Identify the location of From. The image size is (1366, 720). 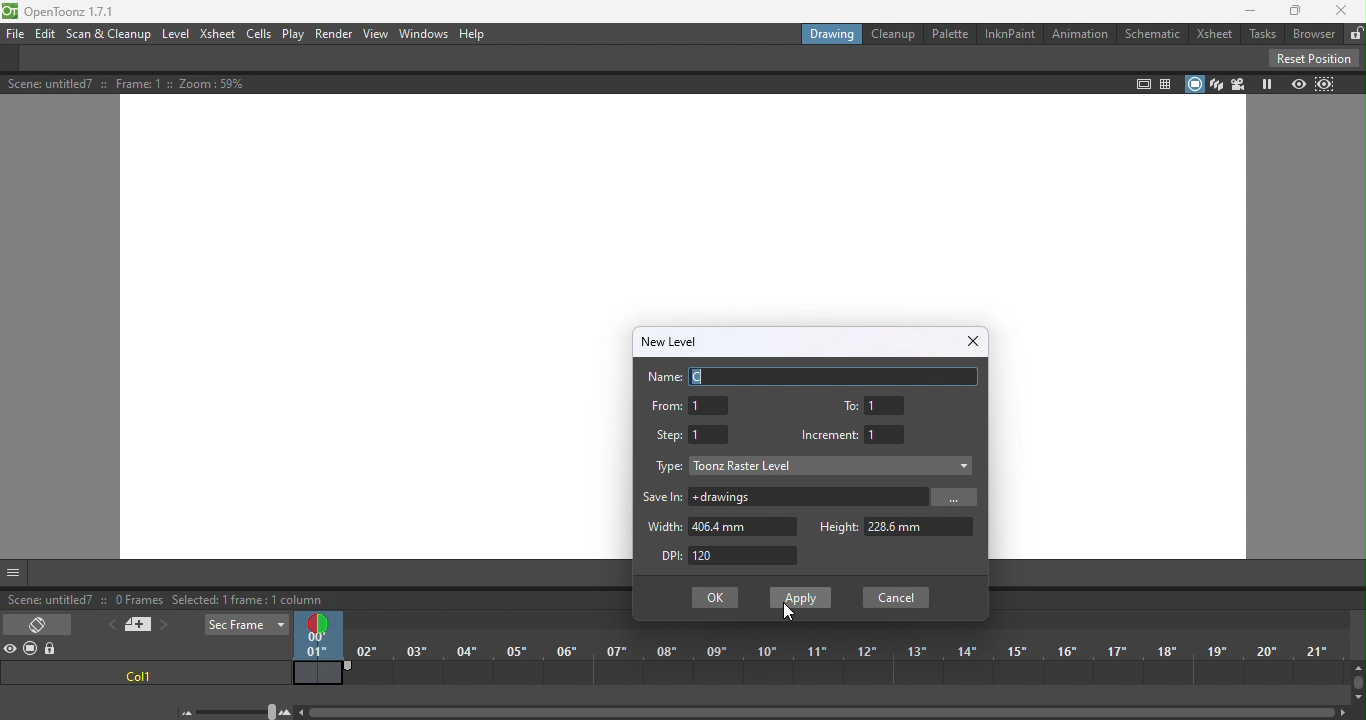
(689, 405).